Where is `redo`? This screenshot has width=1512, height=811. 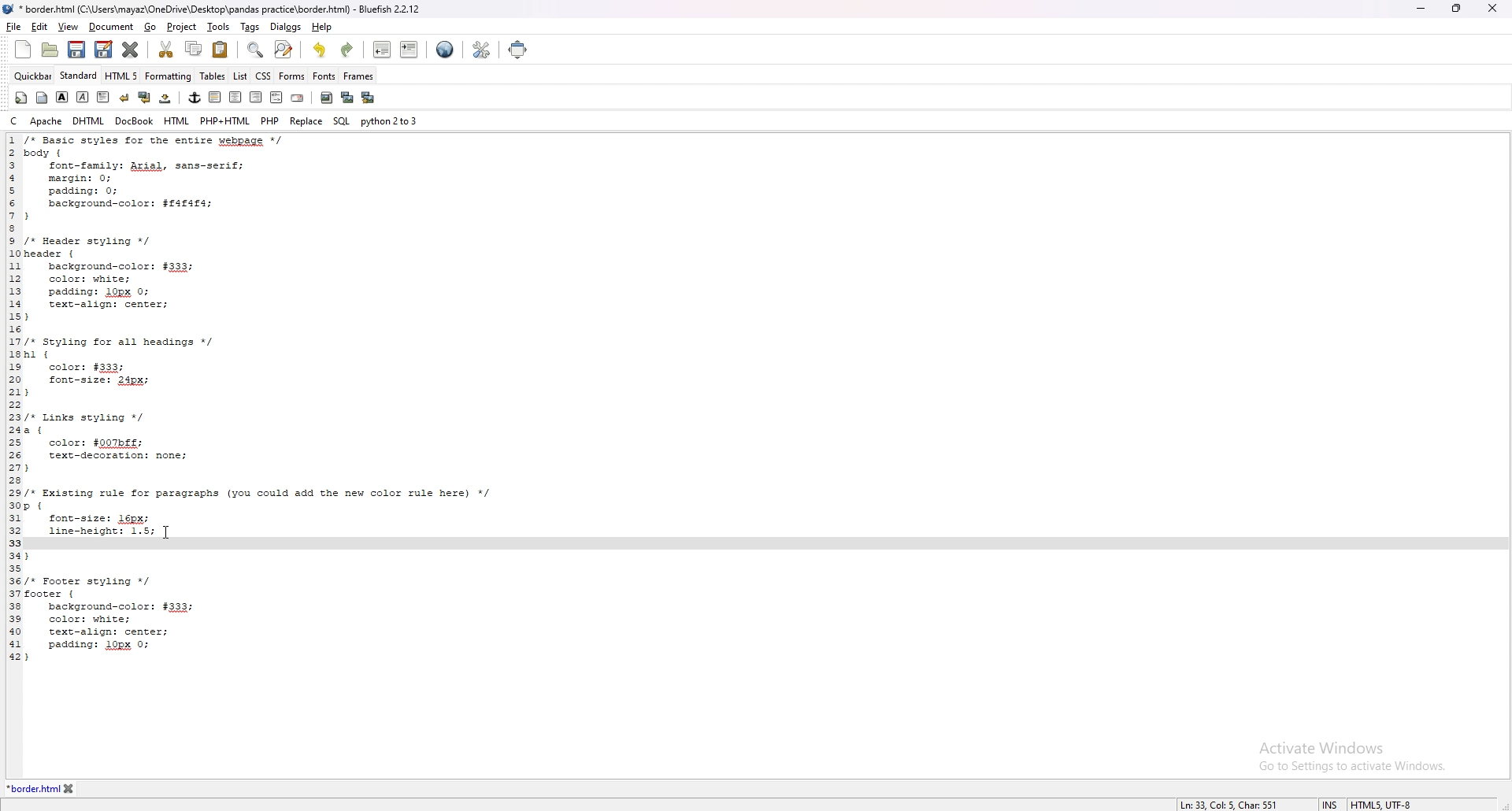
redo is located at coordinates (348, 50).